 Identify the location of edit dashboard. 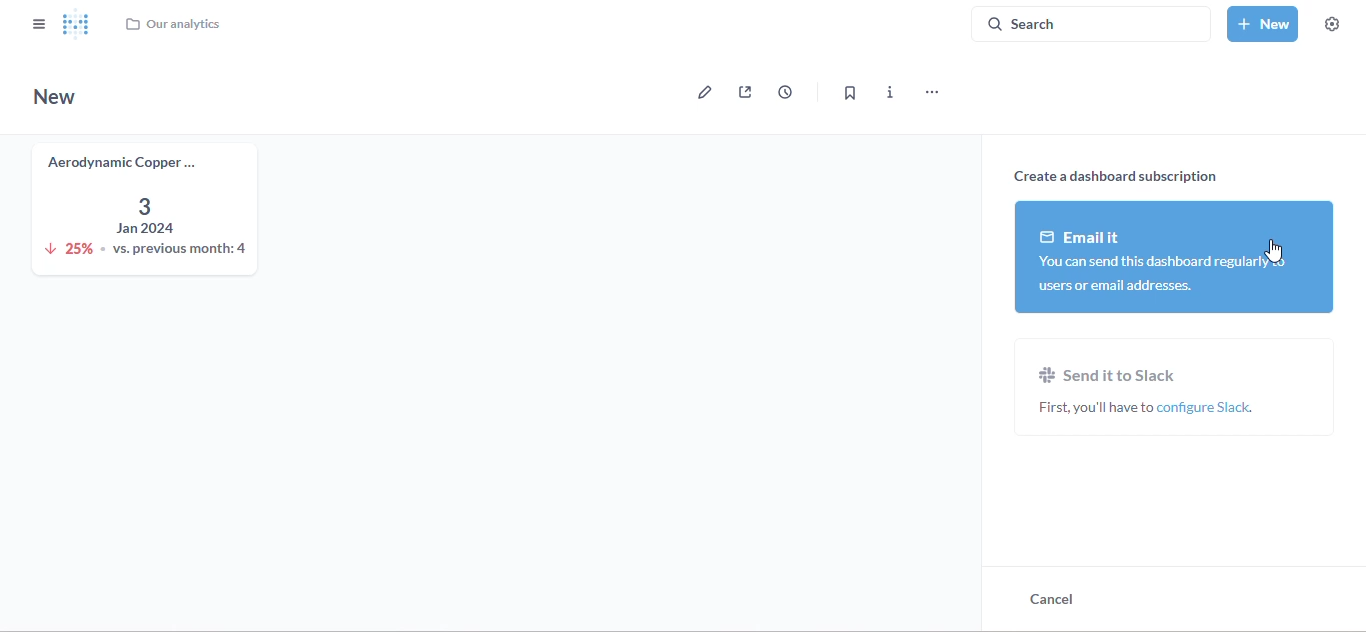
(700, 92).